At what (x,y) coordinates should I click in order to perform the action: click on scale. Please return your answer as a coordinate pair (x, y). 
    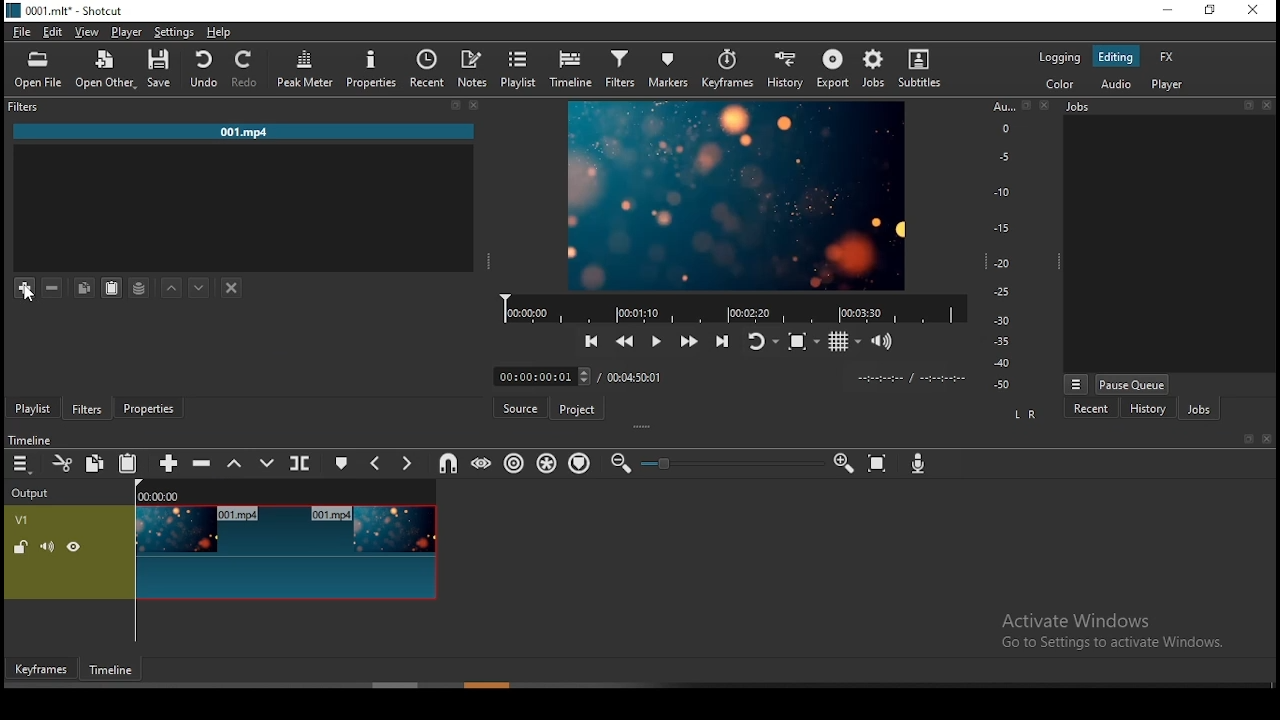
    Looking at the image, I should click on (1007, 247).